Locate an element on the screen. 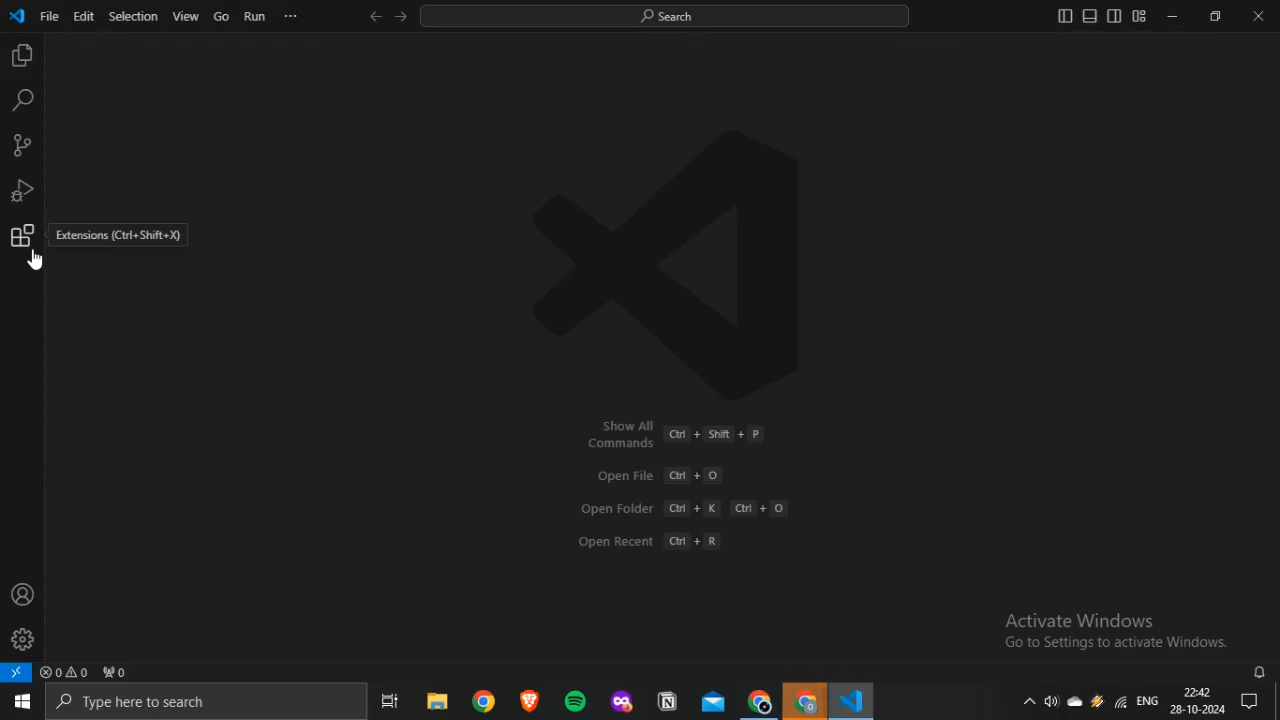 Image resolution: width=1280 pixels, height=720 pixels. 22:42 is located at coordinates (1196, 690).